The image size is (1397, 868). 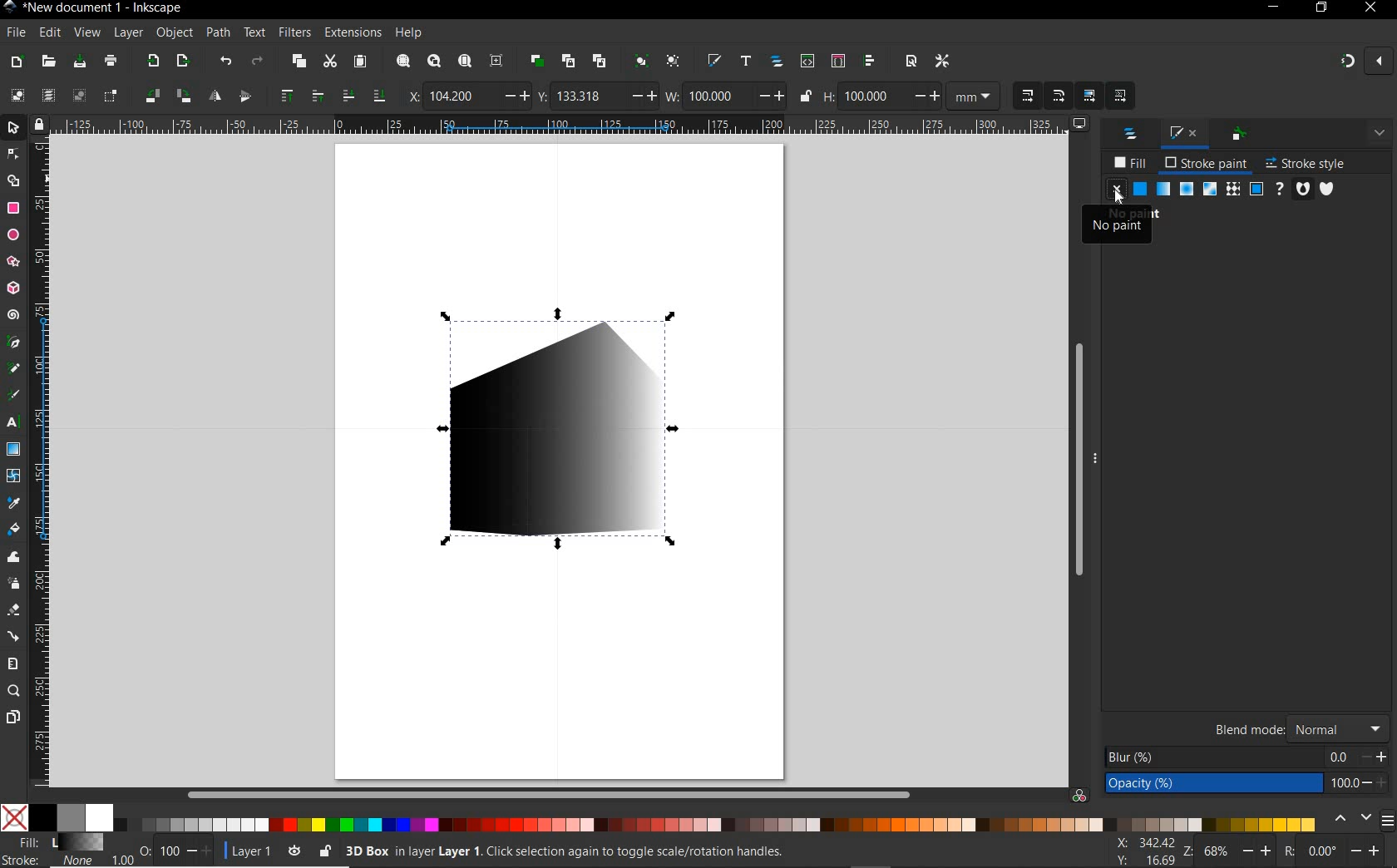 I want to click on SPRAY TOOL, so click(x=16, y=584).